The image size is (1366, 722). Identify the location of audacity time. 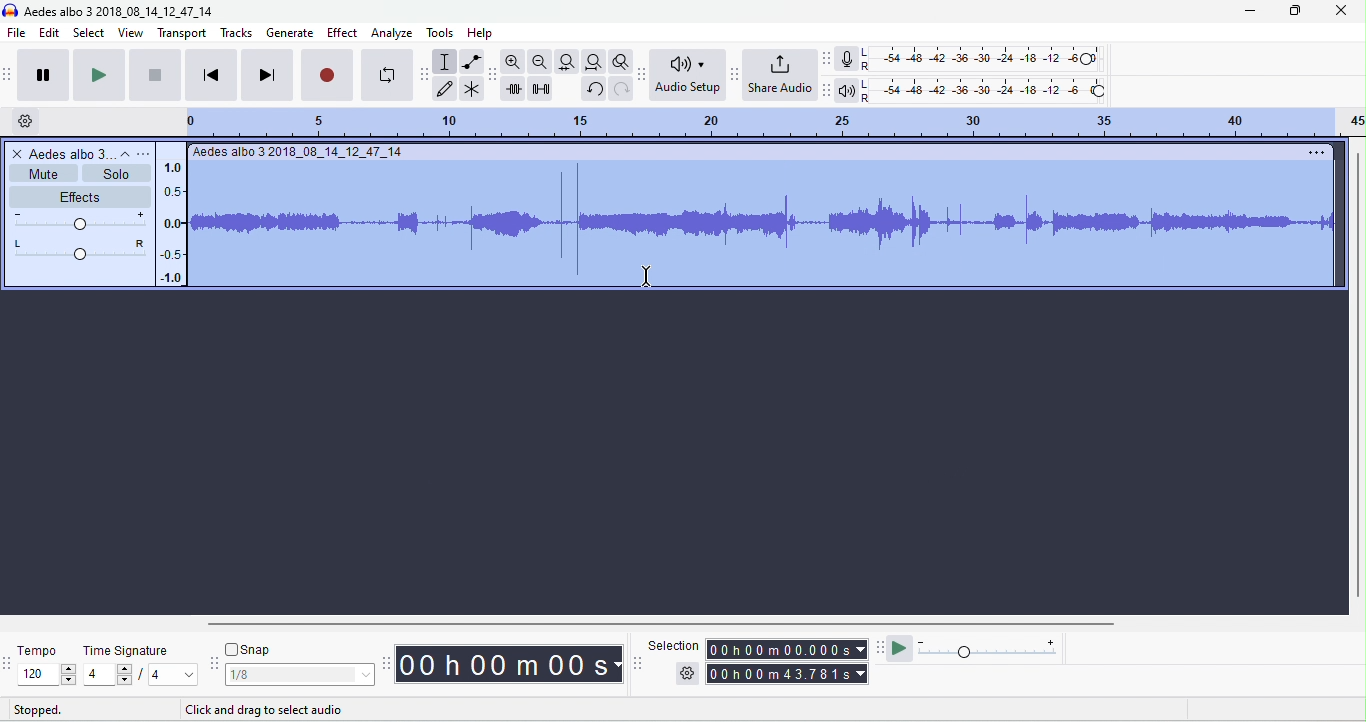
(510, 665).